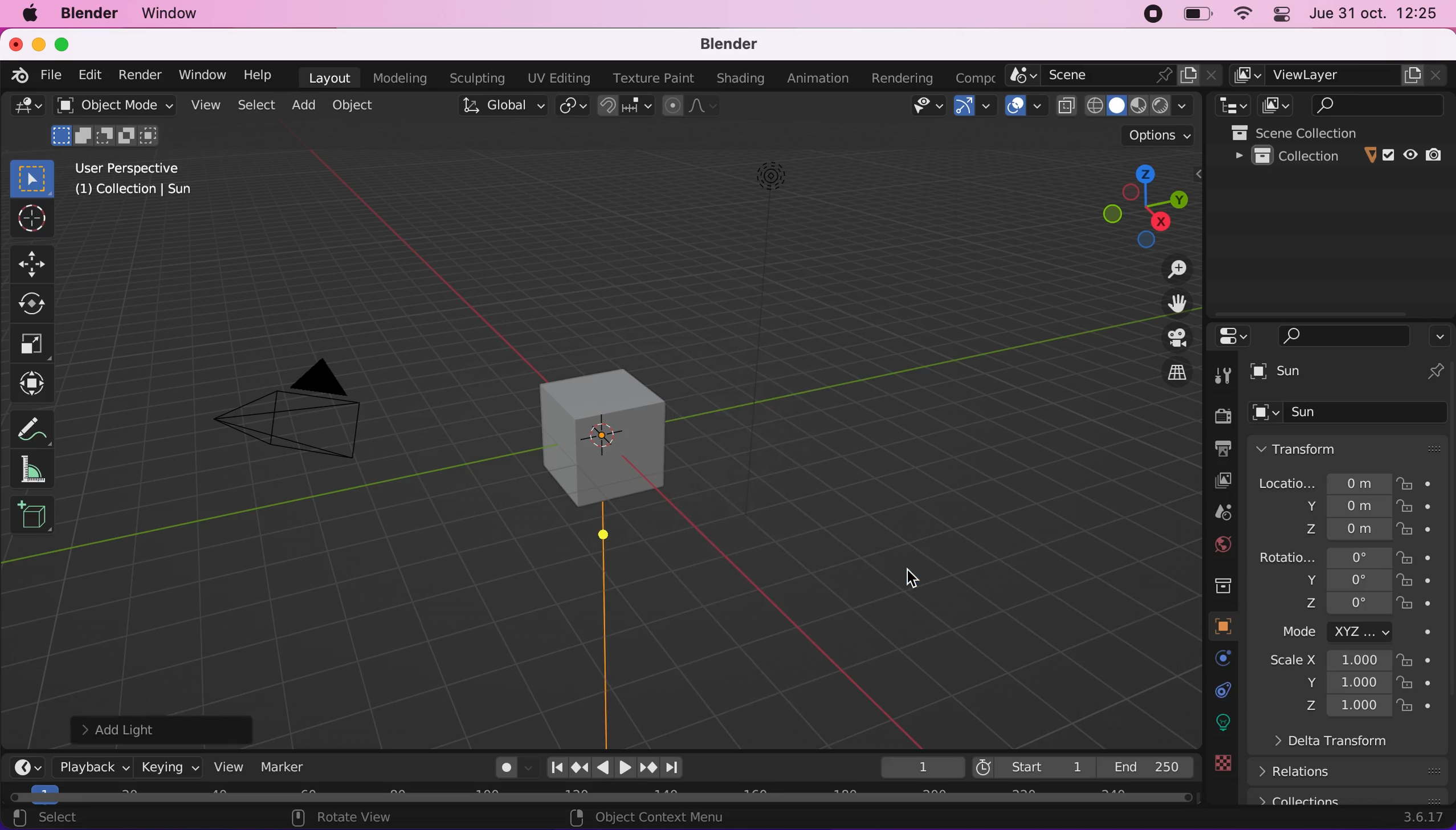 This screenshot has width=1456, height=830. What do you see at coordinates (1214, 626) in the screenshot?
I see `object` at bounding box center [1214, 626].